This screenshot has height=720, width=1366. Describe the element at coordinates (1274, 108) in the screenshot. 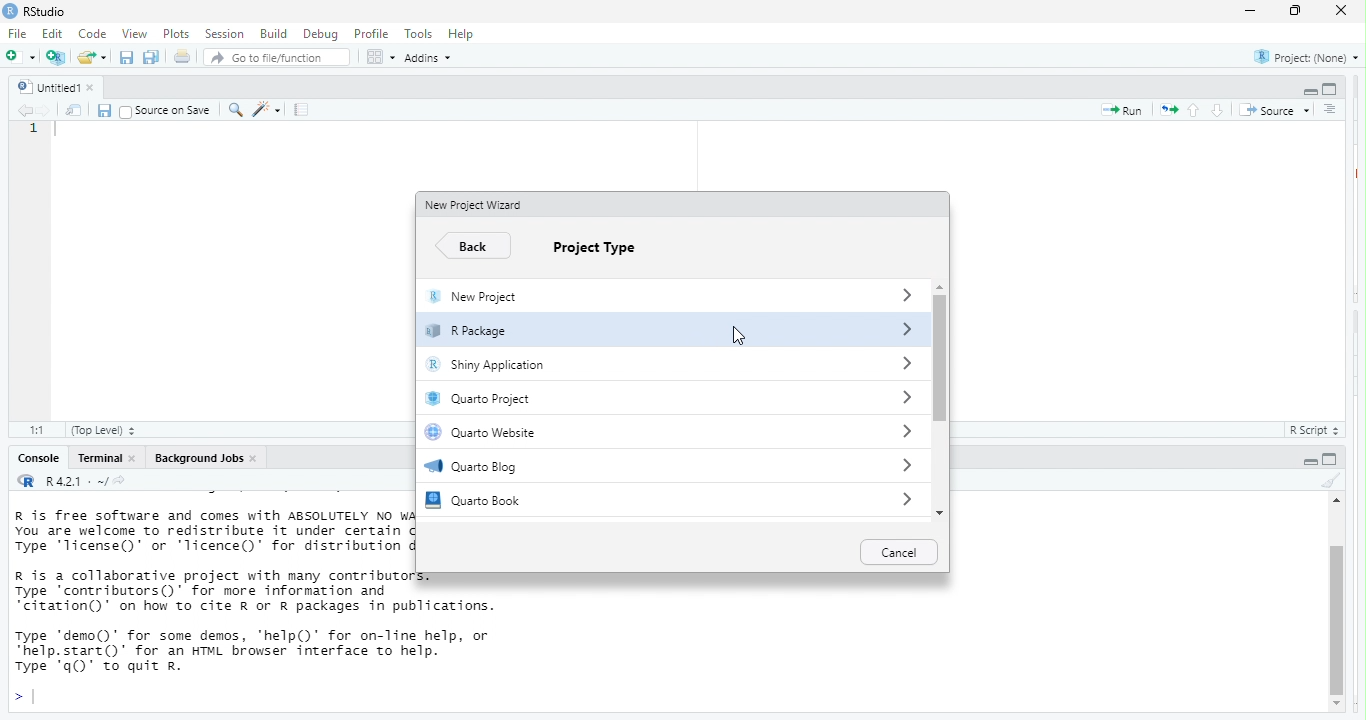

I see `source` at that location.